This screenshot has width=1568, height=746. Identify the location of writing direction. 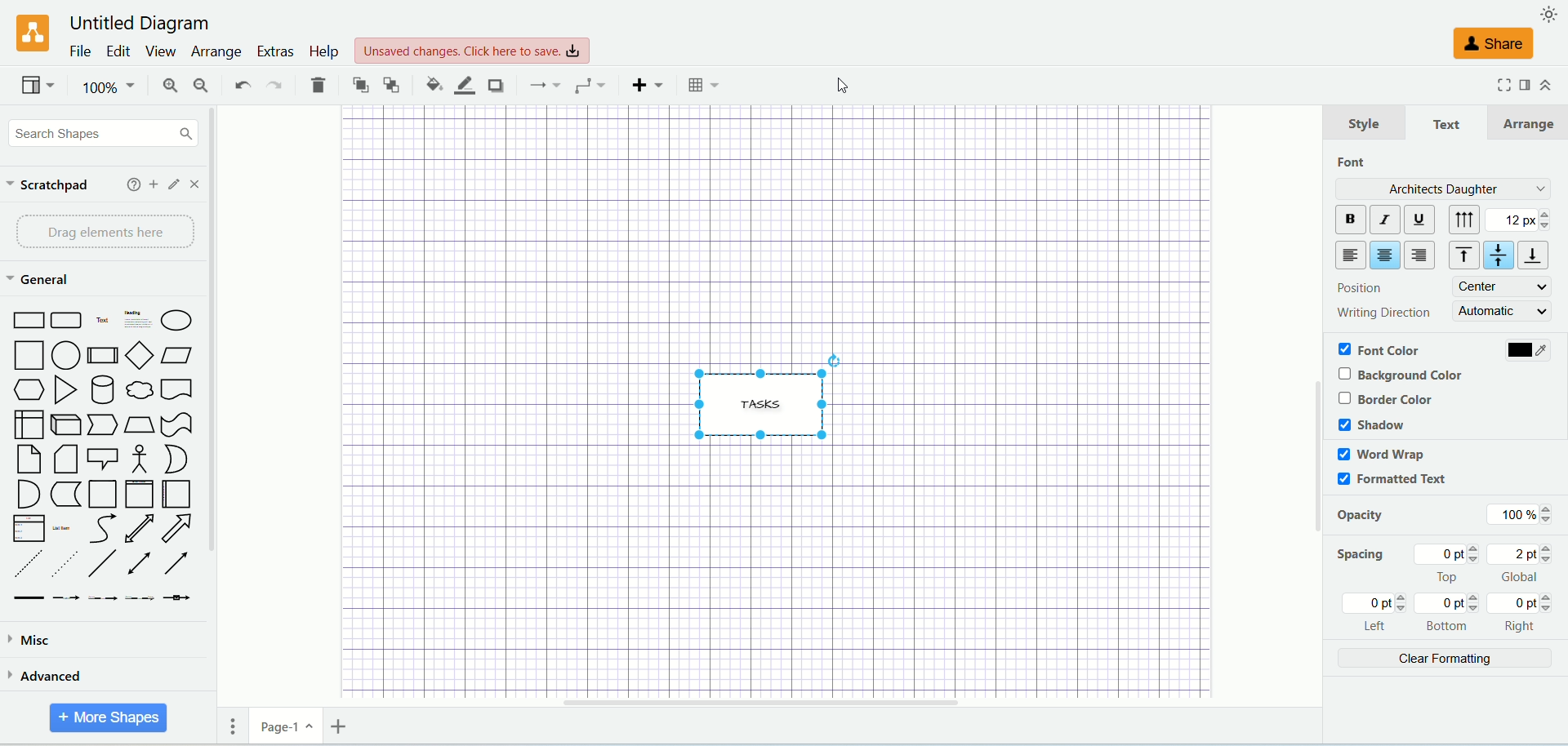
(1383, 310).